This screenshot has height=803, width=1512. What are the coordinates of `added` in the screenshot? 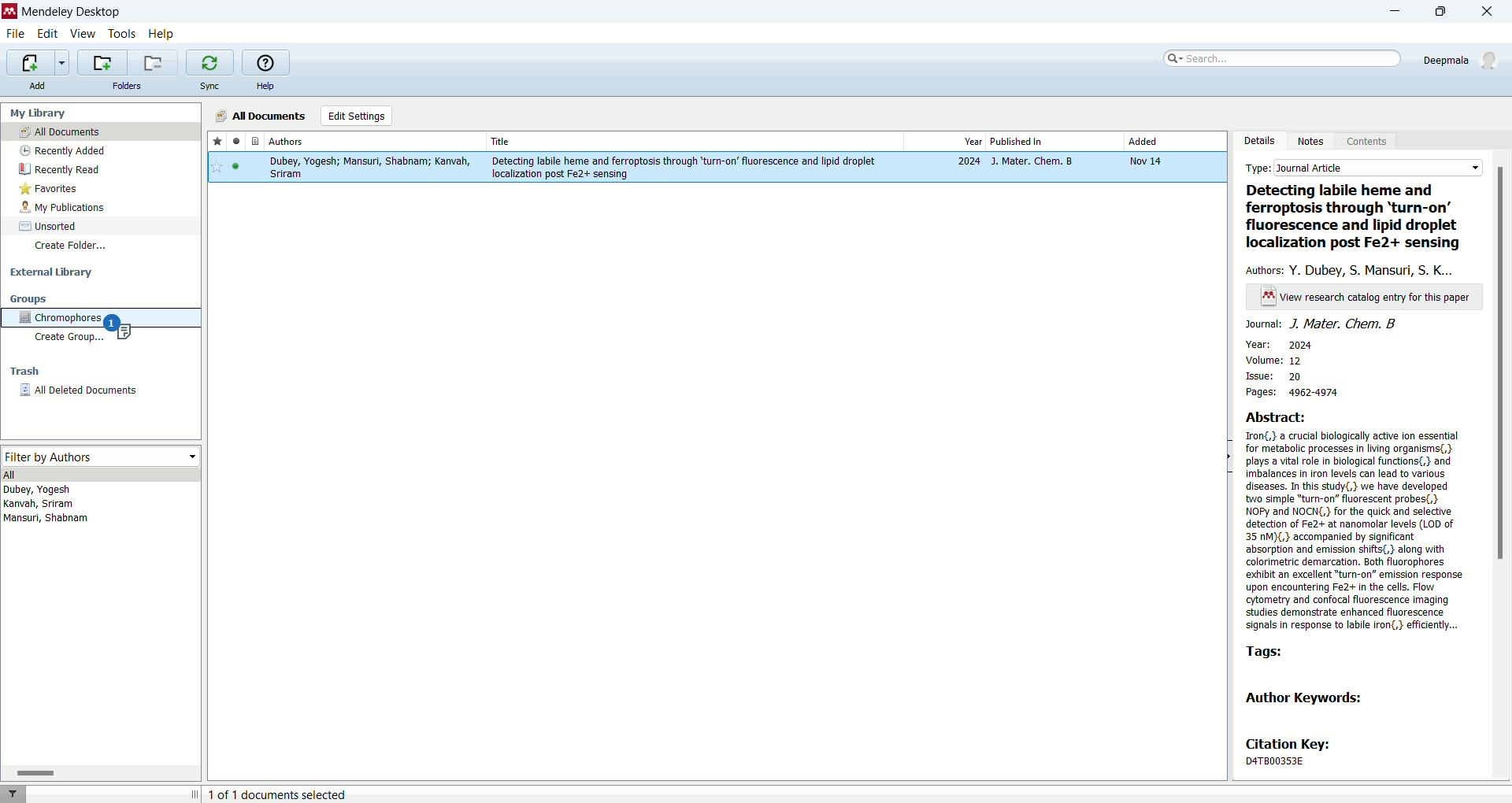 It's located at (1173, 141).